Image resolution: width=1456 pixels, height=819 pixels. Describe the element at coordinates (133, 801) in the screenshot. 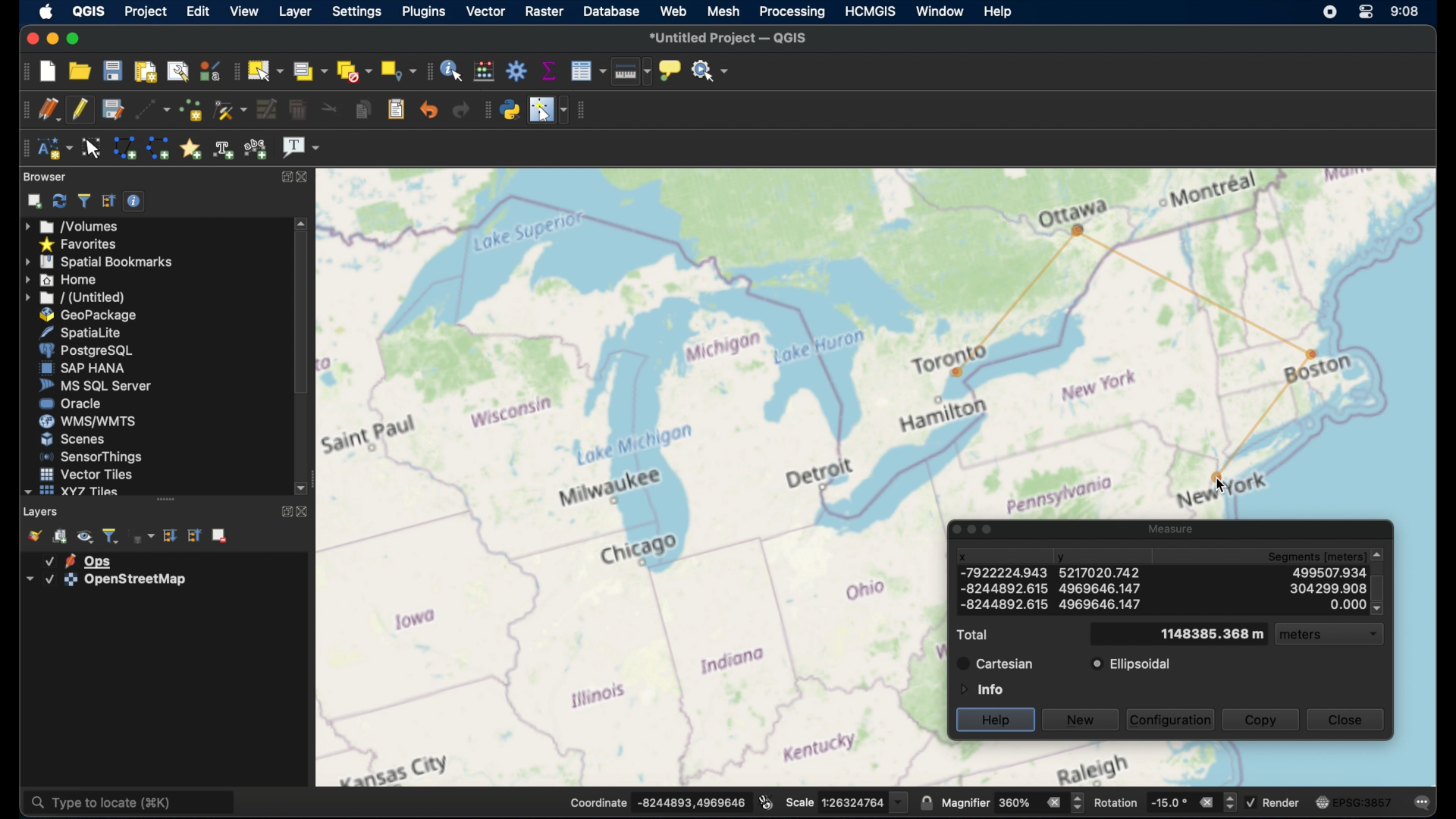

I see `type to locate` at that location.